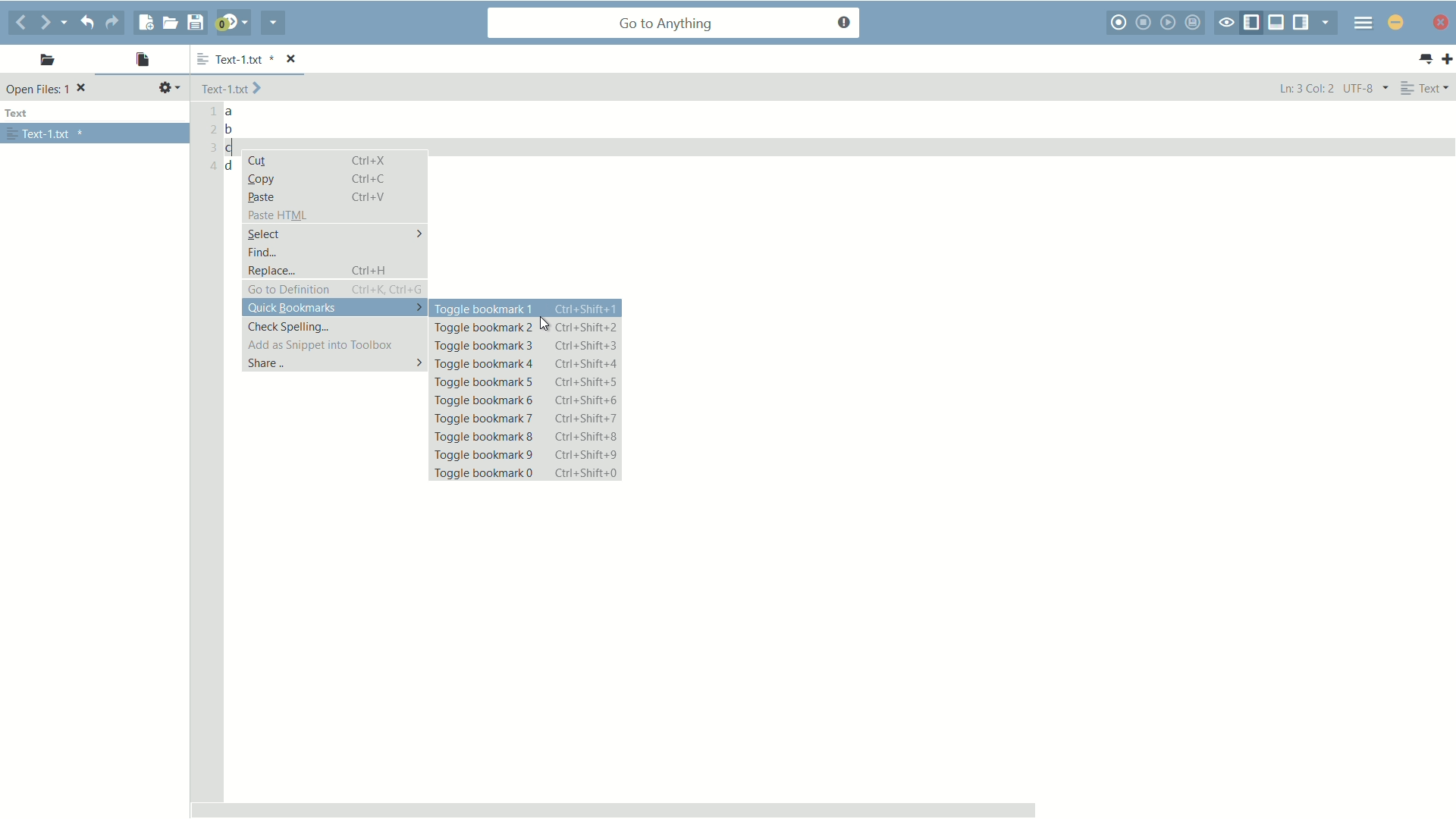 This screenshot has height=819, width=1456. I want to click on more options, so click(199, 60).